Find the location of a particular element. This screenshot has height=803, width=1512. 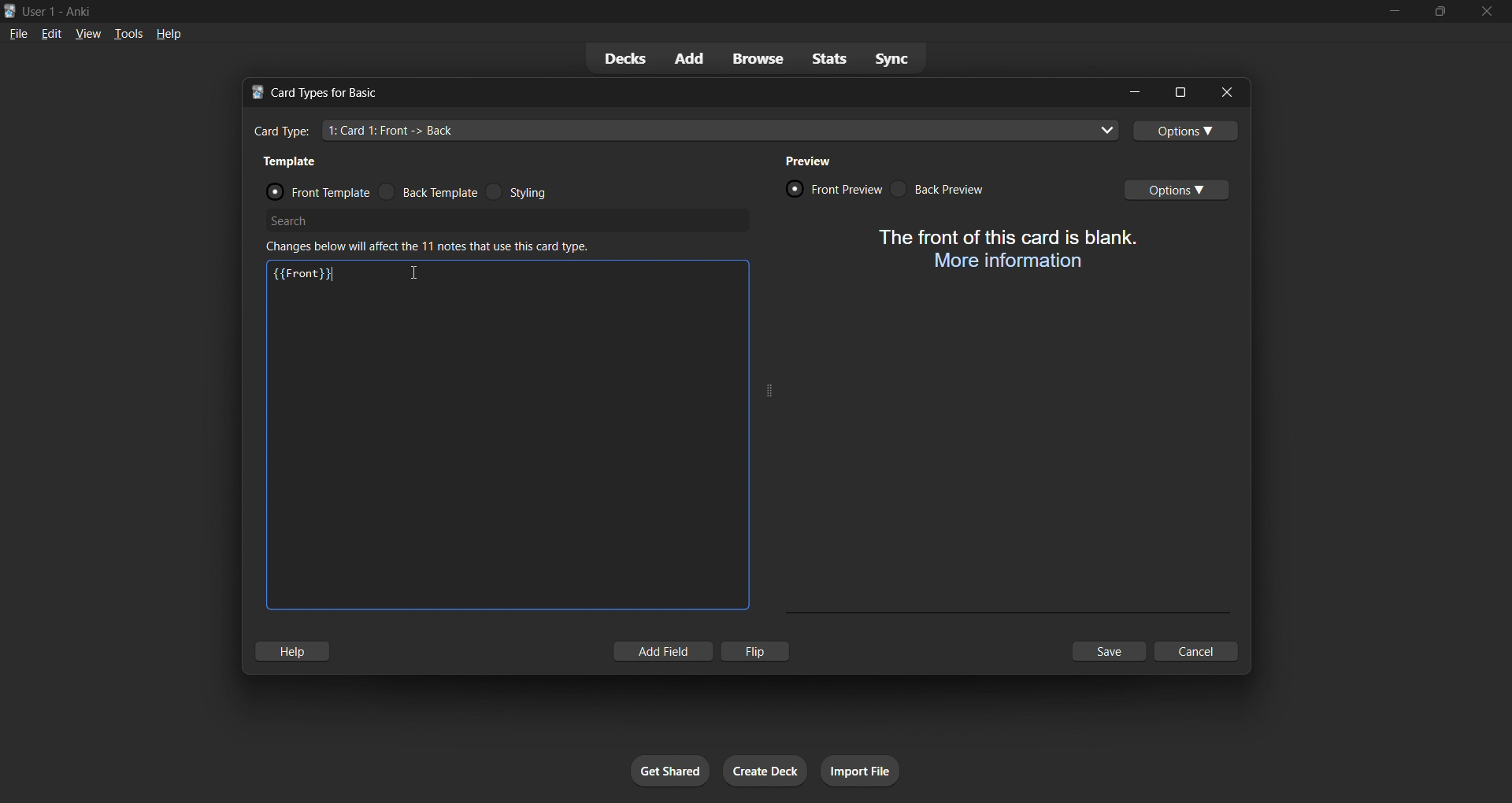

search bar is located at coordinates (510, 219).